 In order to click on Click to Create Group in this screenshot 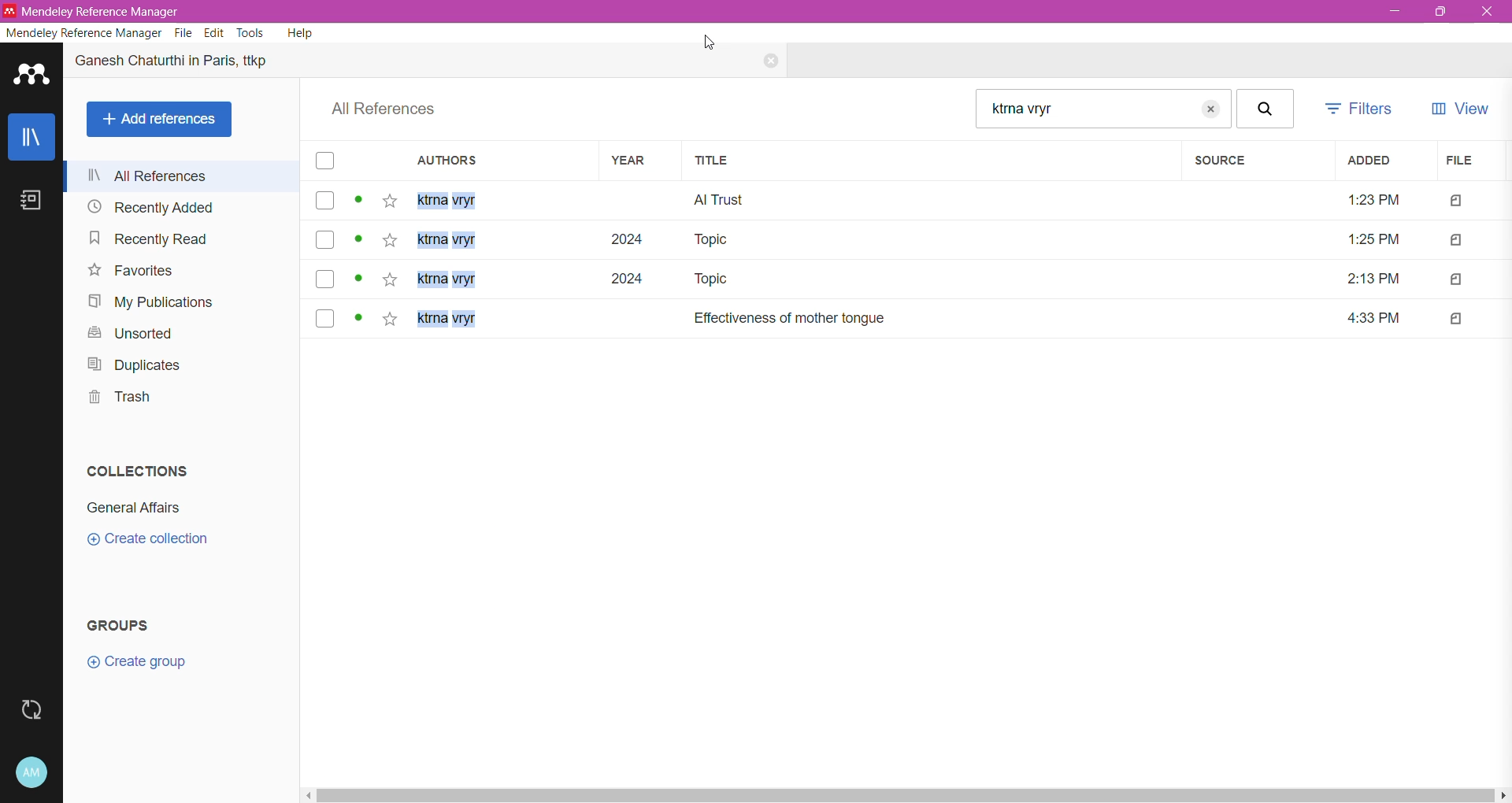, I will do `click(135, 666)`.